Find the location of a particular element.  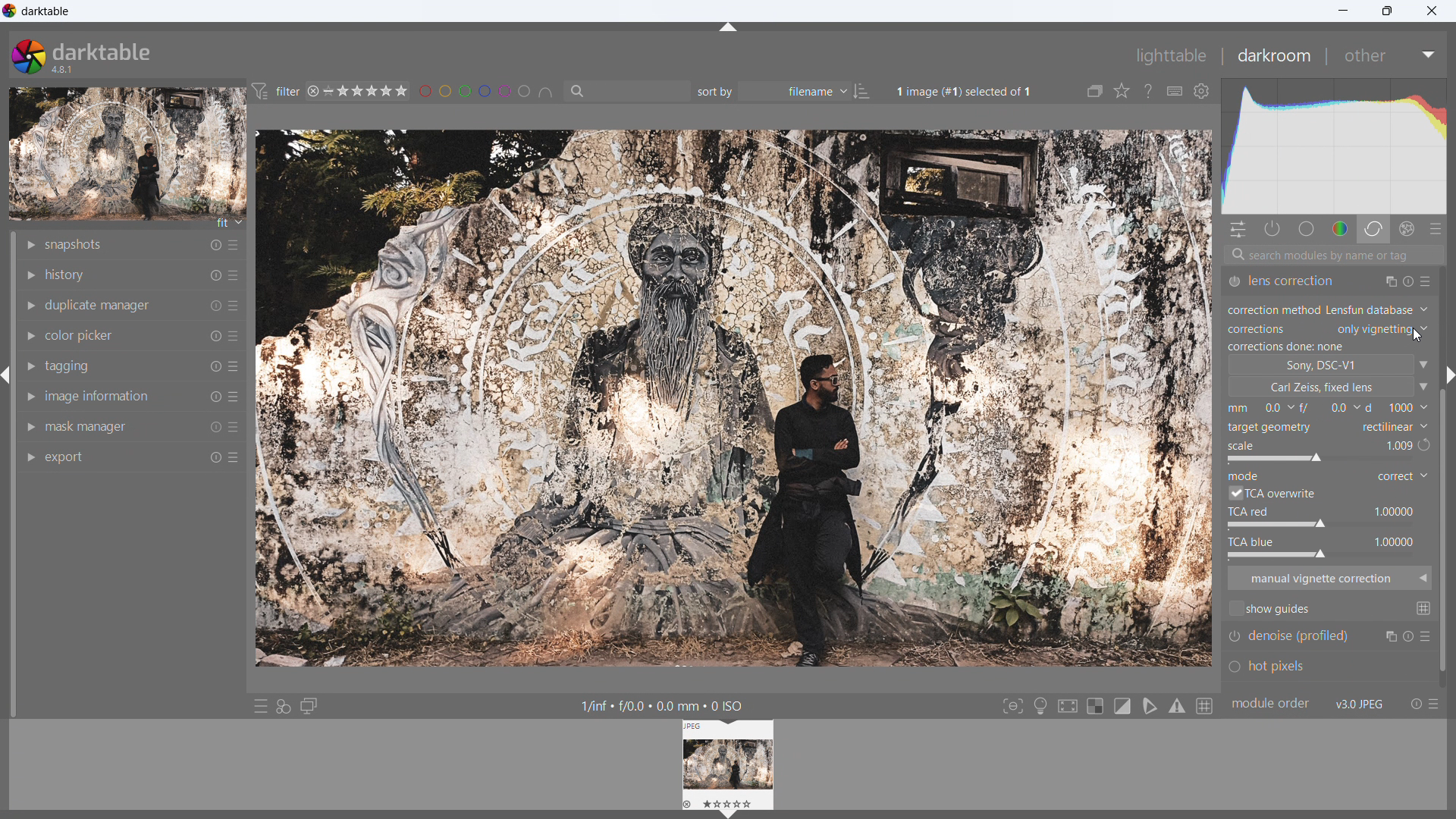

logo is located at coordinates (10, 11).